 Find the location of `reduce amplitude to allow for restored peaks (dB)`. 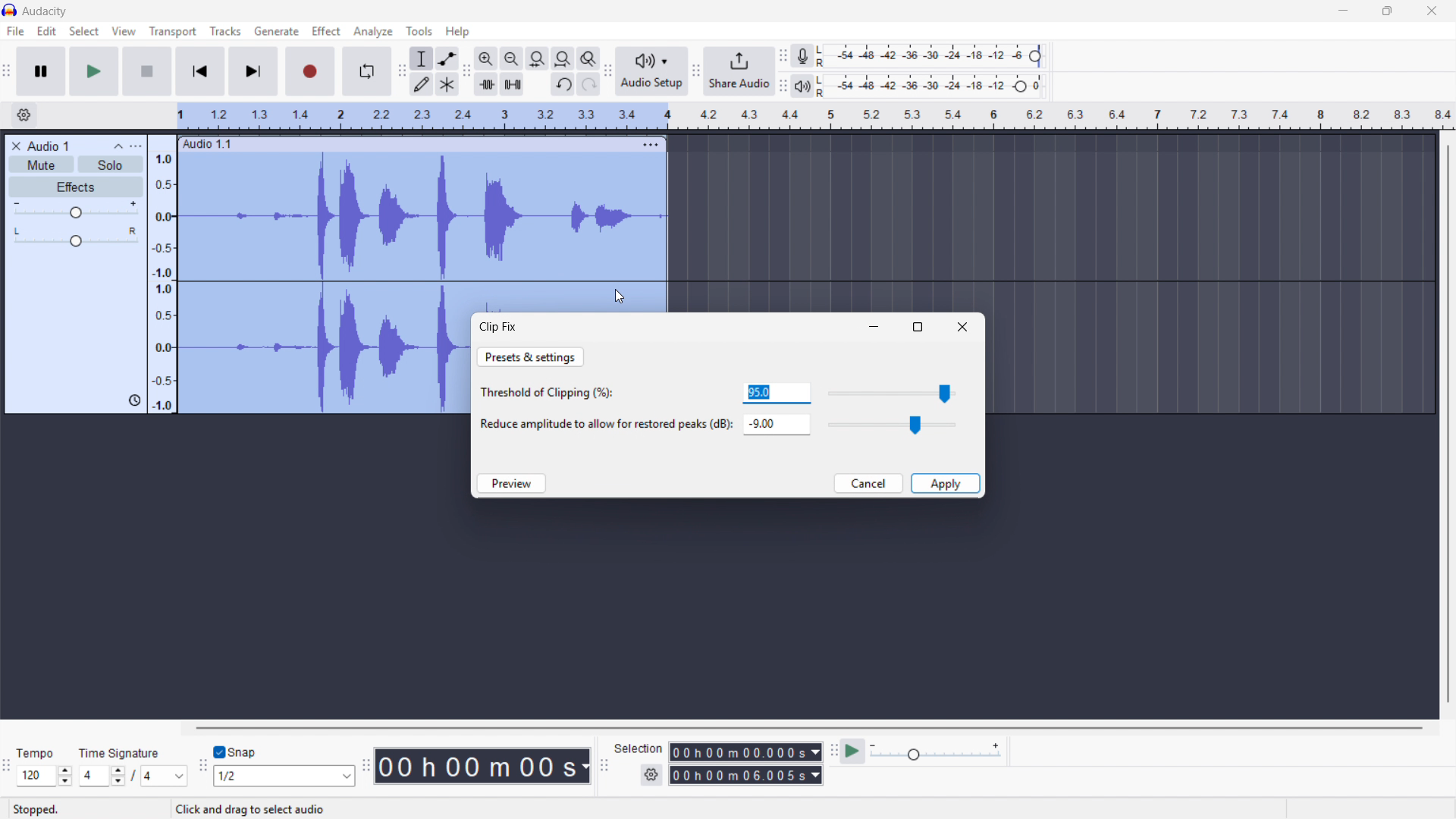

reduce amplitude to allow for restored peaks (dB) is located at coordinates (604, 425).